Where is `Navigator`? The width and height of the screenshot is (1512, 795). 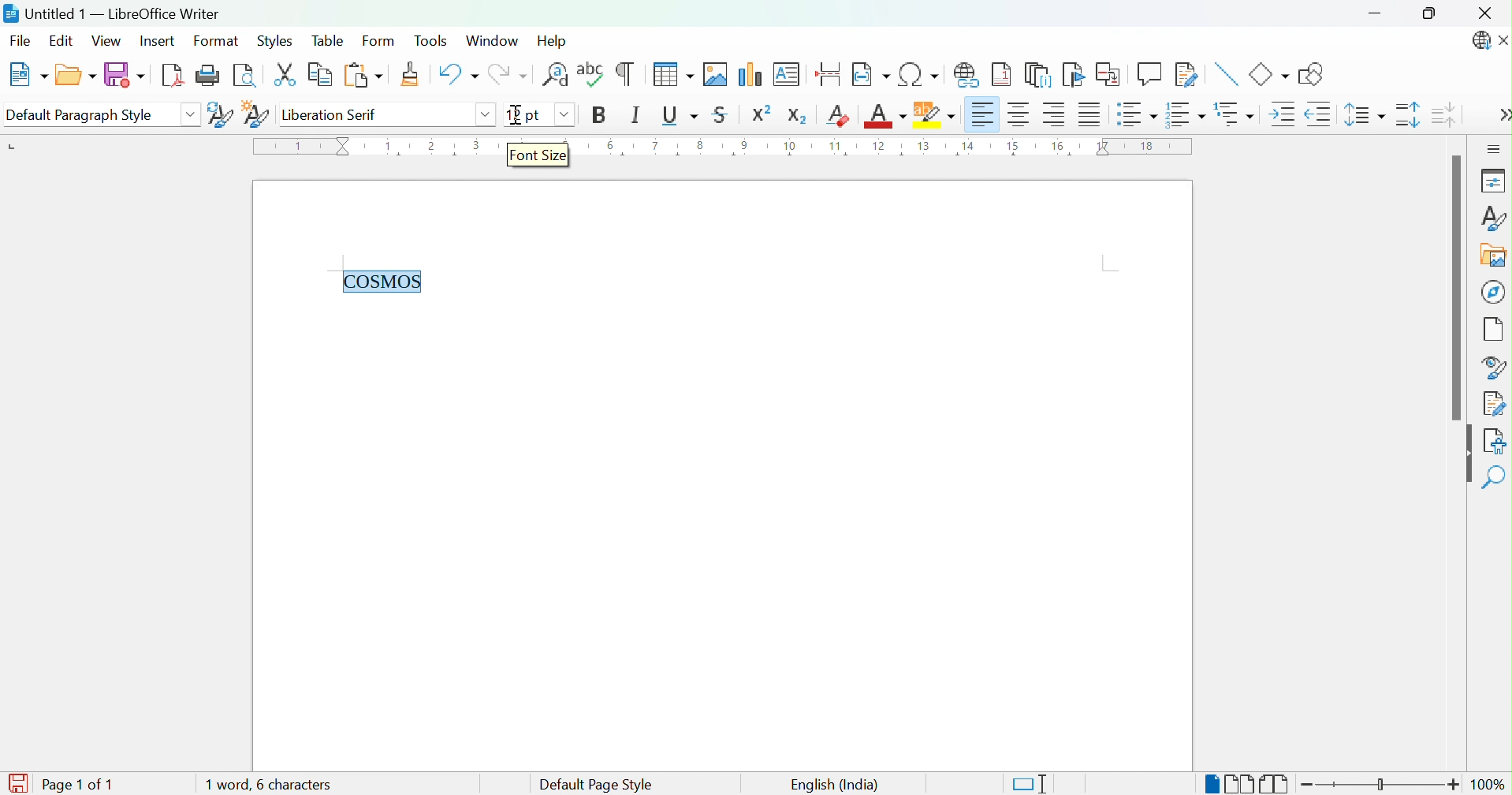 Navigator is located at coordinates (1495, 291).